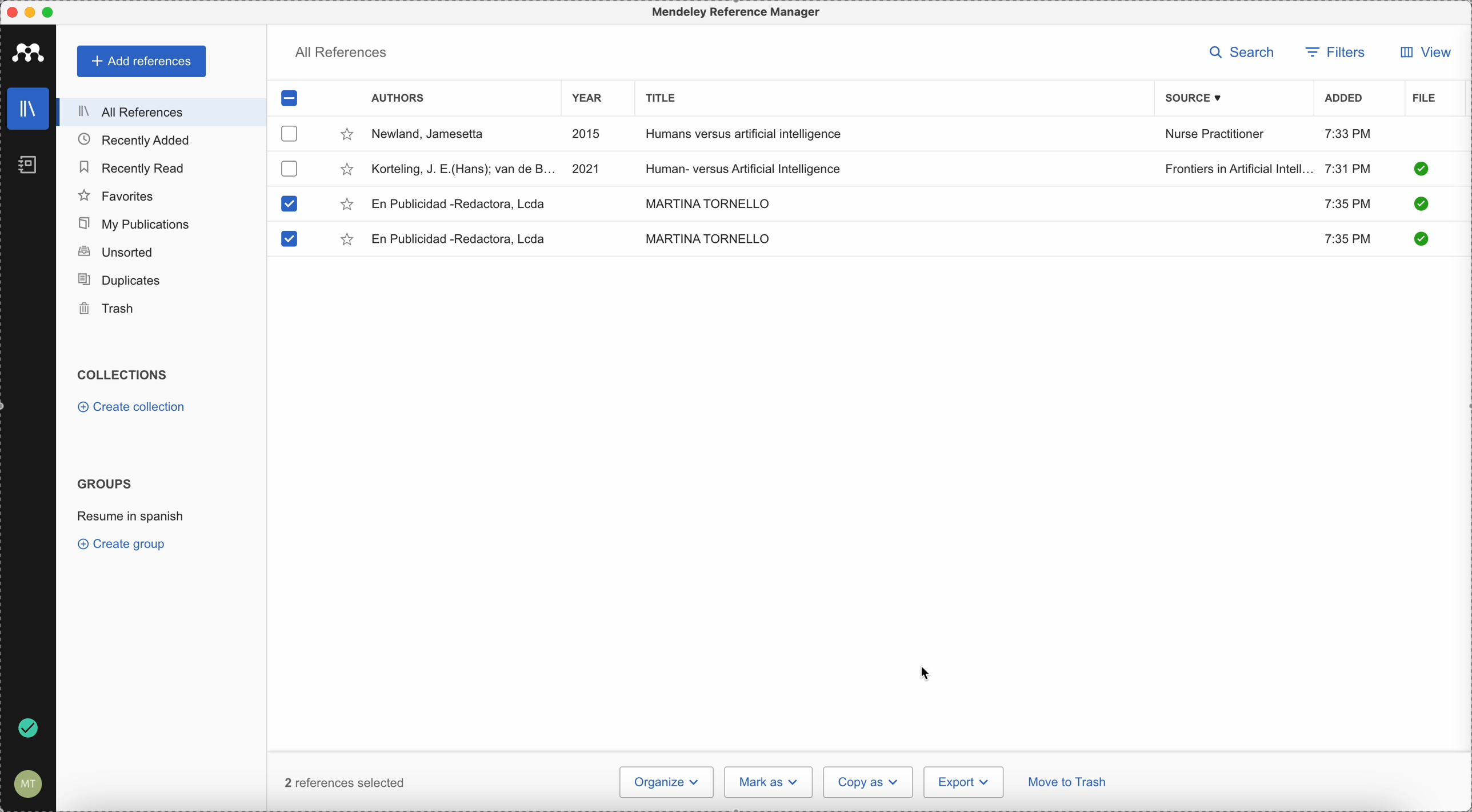 Image resolution: width=1472 pixels, height=812 pixels. I want to click on close program, so click(12, 13).